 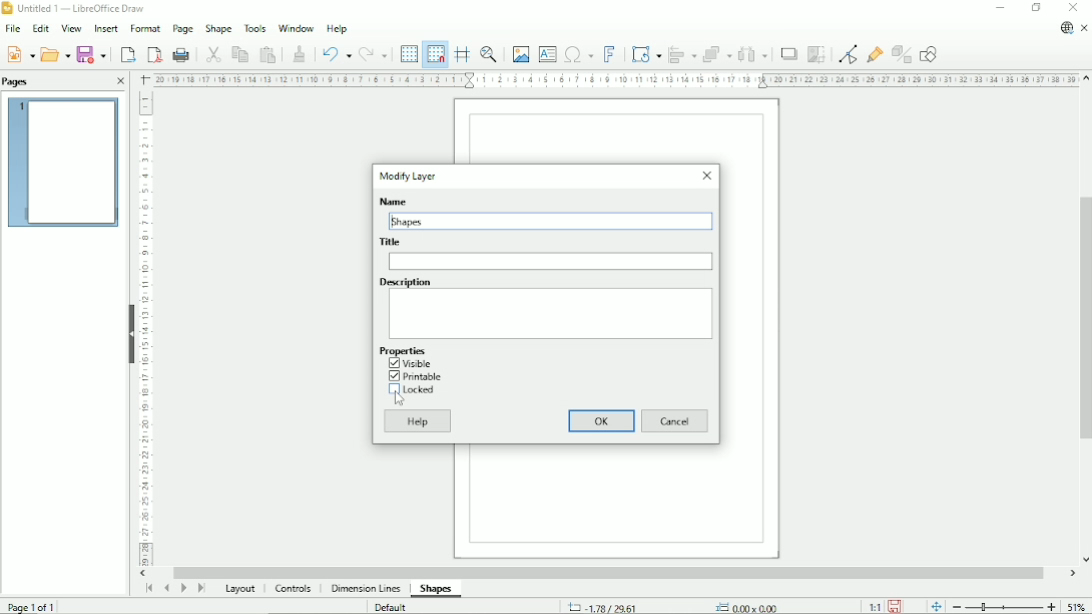 I want to click on Vertical scroll button, so click(x=1084, y=80).